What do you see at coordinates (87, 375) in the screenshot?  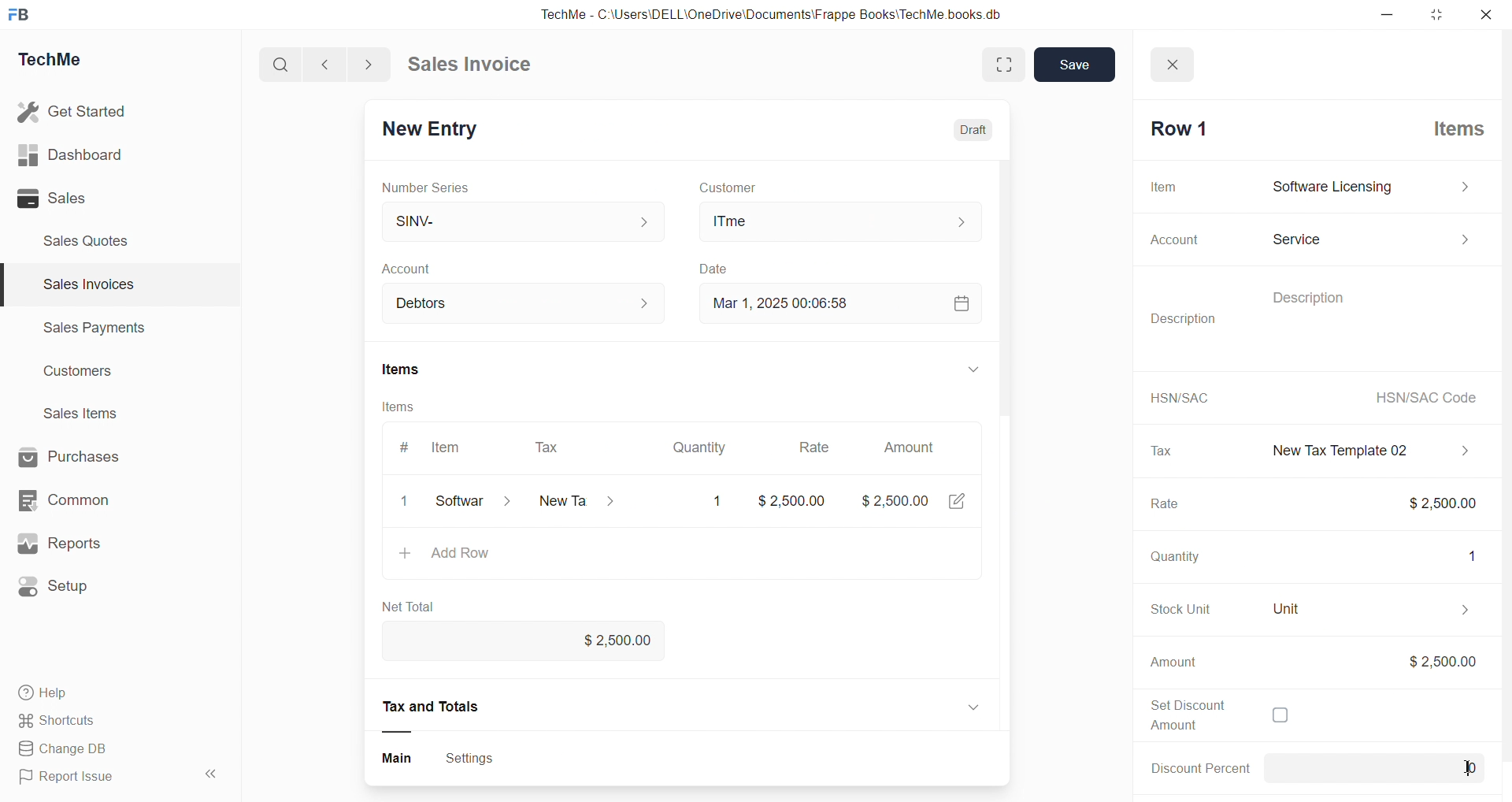 I see `Customers` at bounding box center [87, 375].